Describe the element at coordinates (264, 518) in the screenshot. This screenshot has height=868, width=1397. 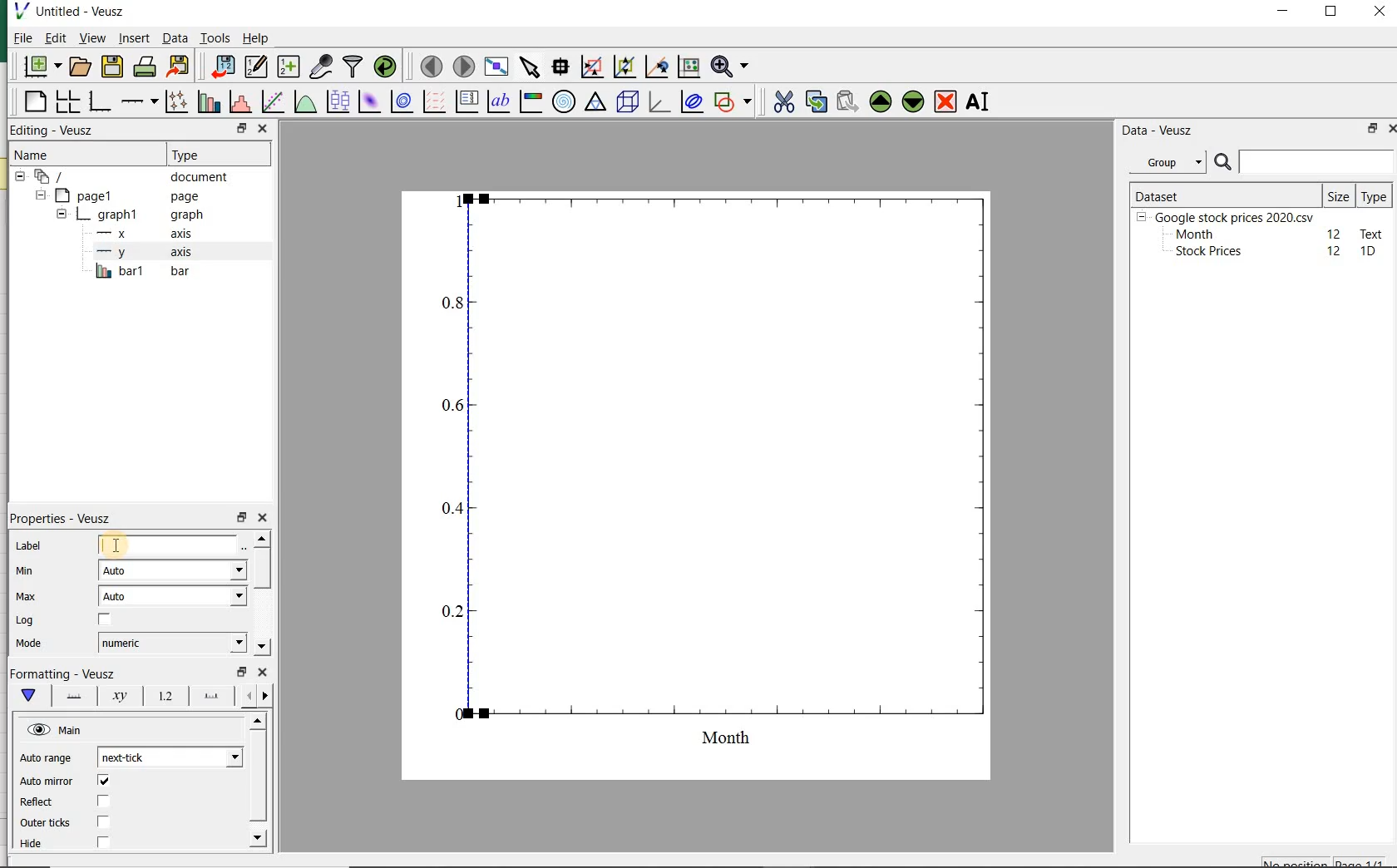
I see `close` at that location.